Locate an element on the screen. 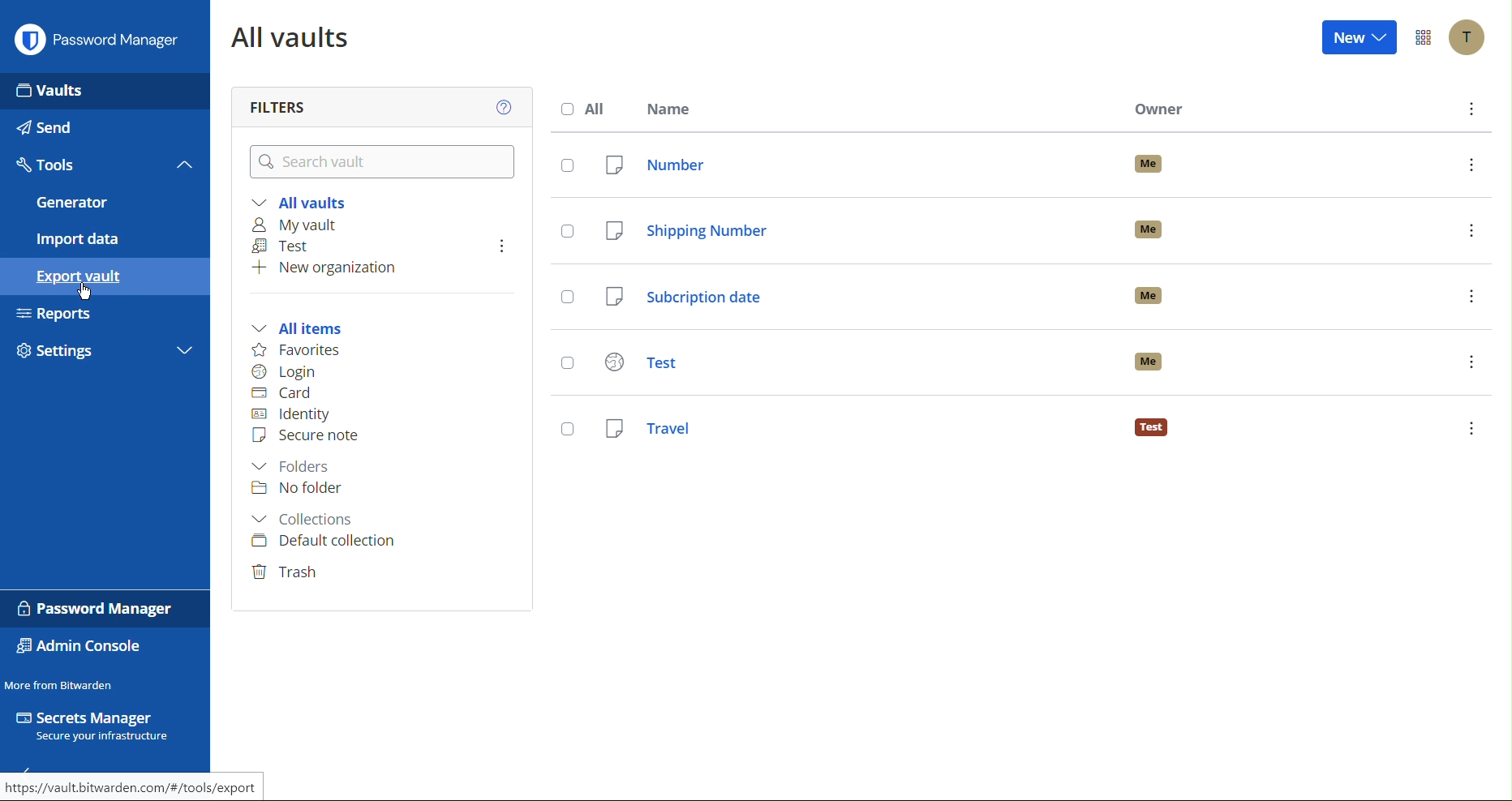 The height and width of the screenshot is (801, 1512). Export vault is located at coordinates (105, 277).